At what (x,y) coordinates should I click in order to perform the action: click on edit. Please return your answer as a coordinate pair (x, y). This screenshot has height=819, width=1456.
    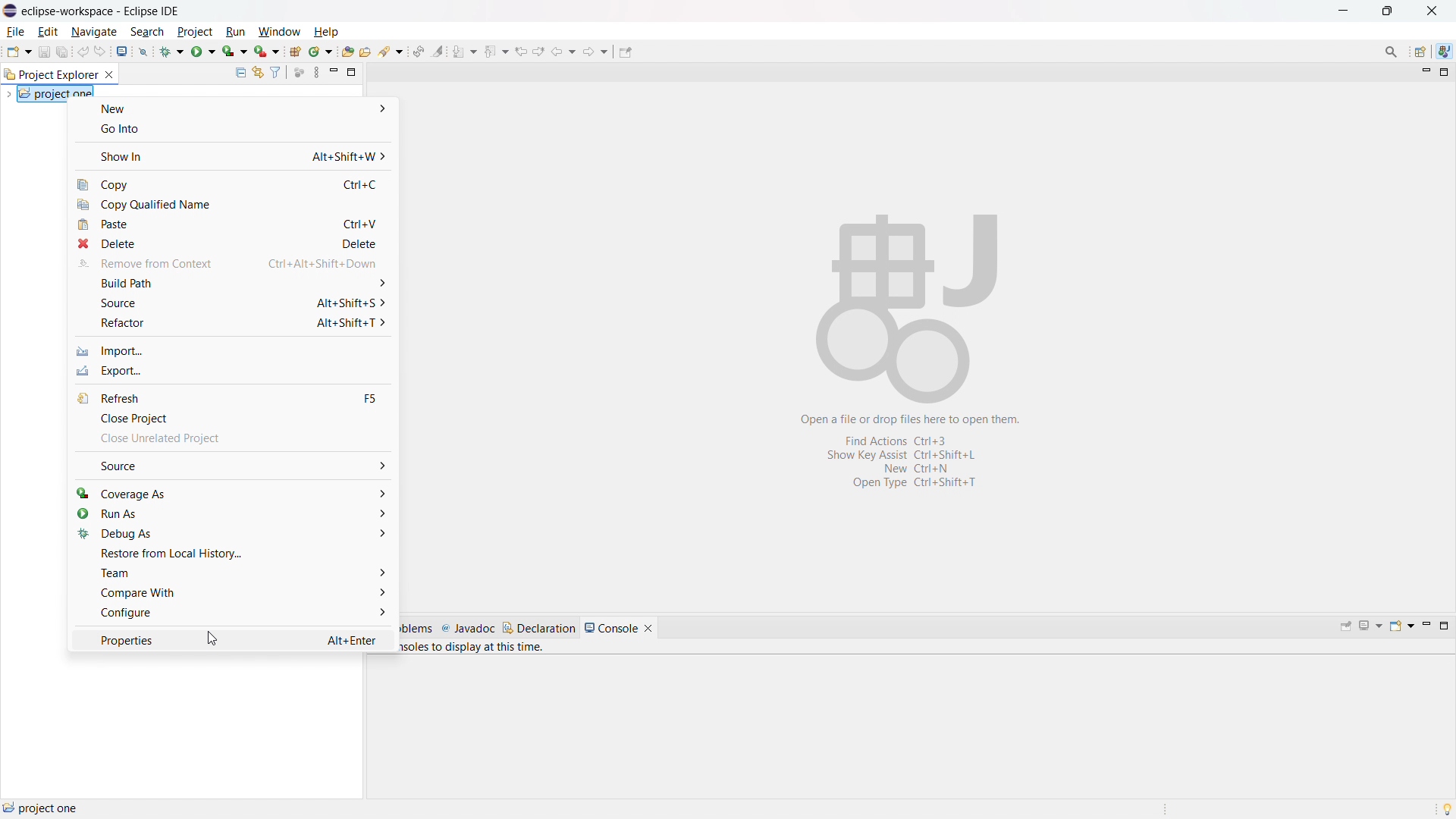
    Looking at the image, I should click on (48, 33).